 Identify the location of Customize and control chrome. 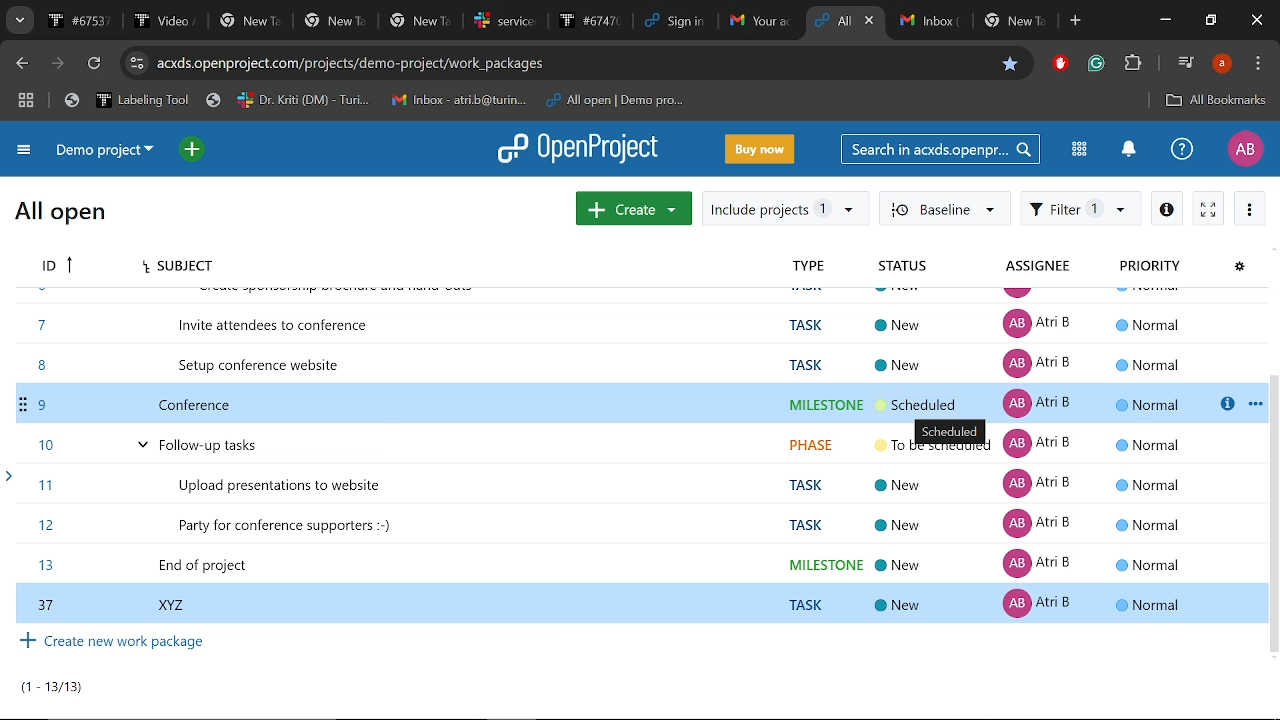
(1257, 64).